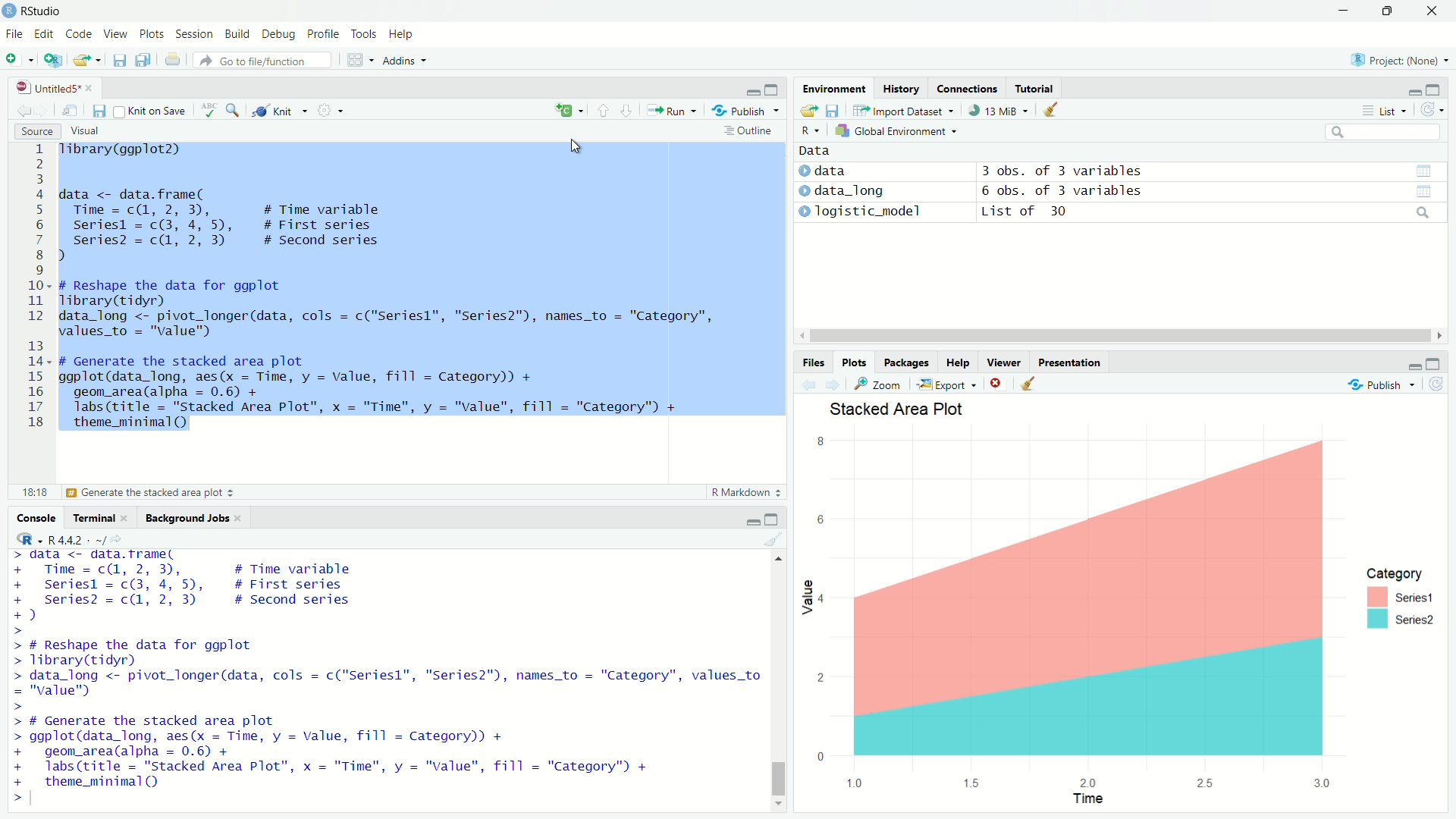 This screenshot has width=1456, height=819. I want to click on Tutorial, so click(1040, 88).